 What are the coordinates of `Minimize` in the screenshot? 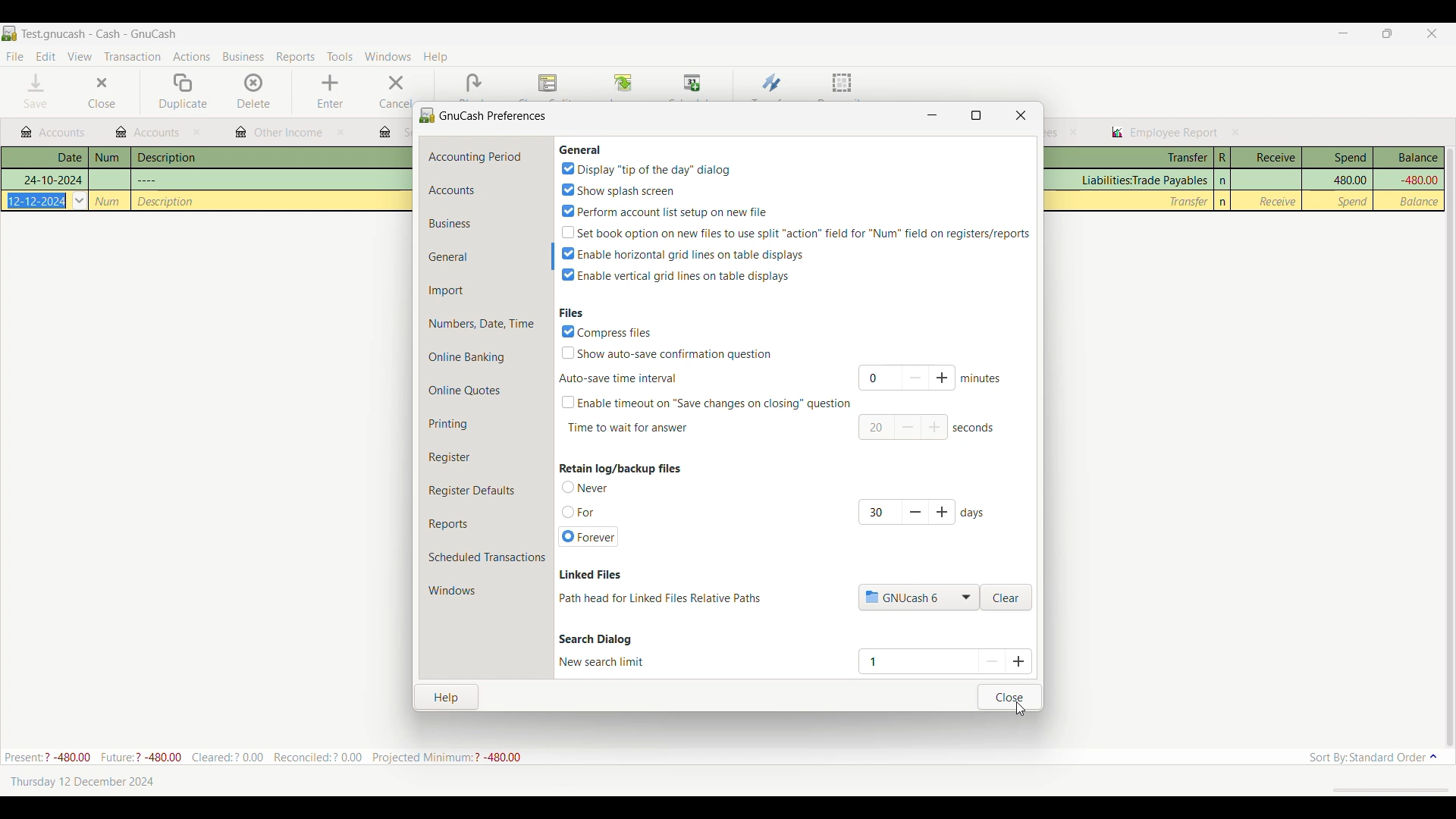 It's located at (1343, 33).